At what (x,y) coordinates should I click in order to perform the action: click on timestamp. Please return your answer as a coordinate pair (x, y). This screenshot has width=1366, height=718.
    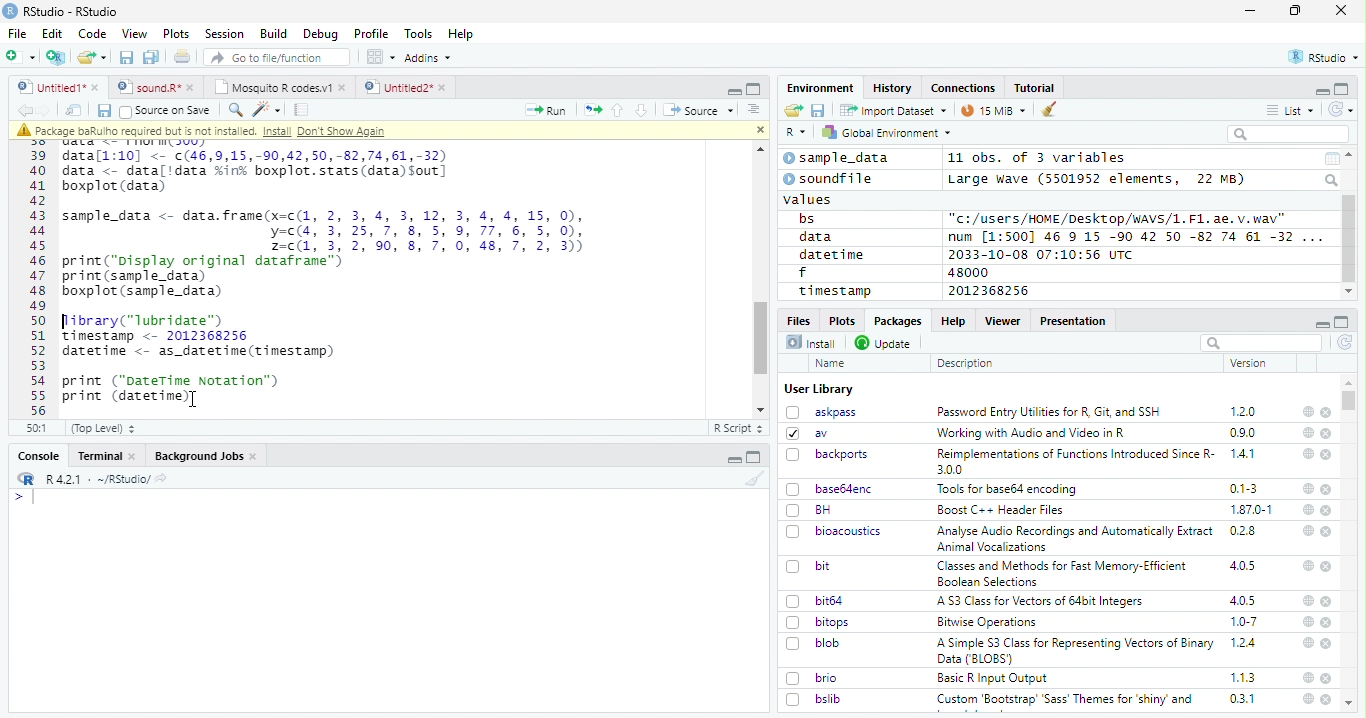
    Looking at the image, I should click on (834, 290).